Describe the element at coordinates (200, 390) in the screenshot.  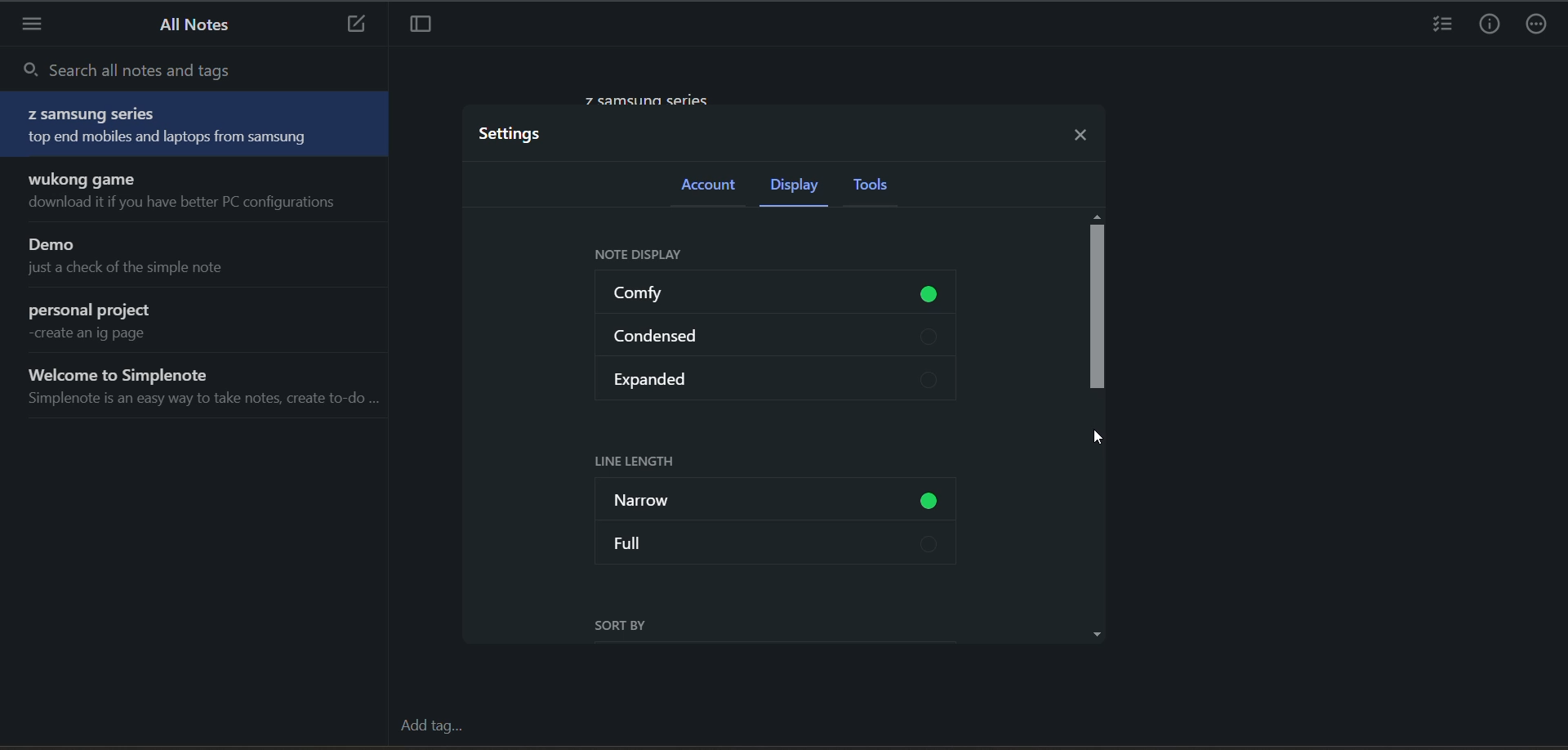
I see `Welcome to Simplenote
Simplenote is an easy way to take notes, create to-do ...` at that location.